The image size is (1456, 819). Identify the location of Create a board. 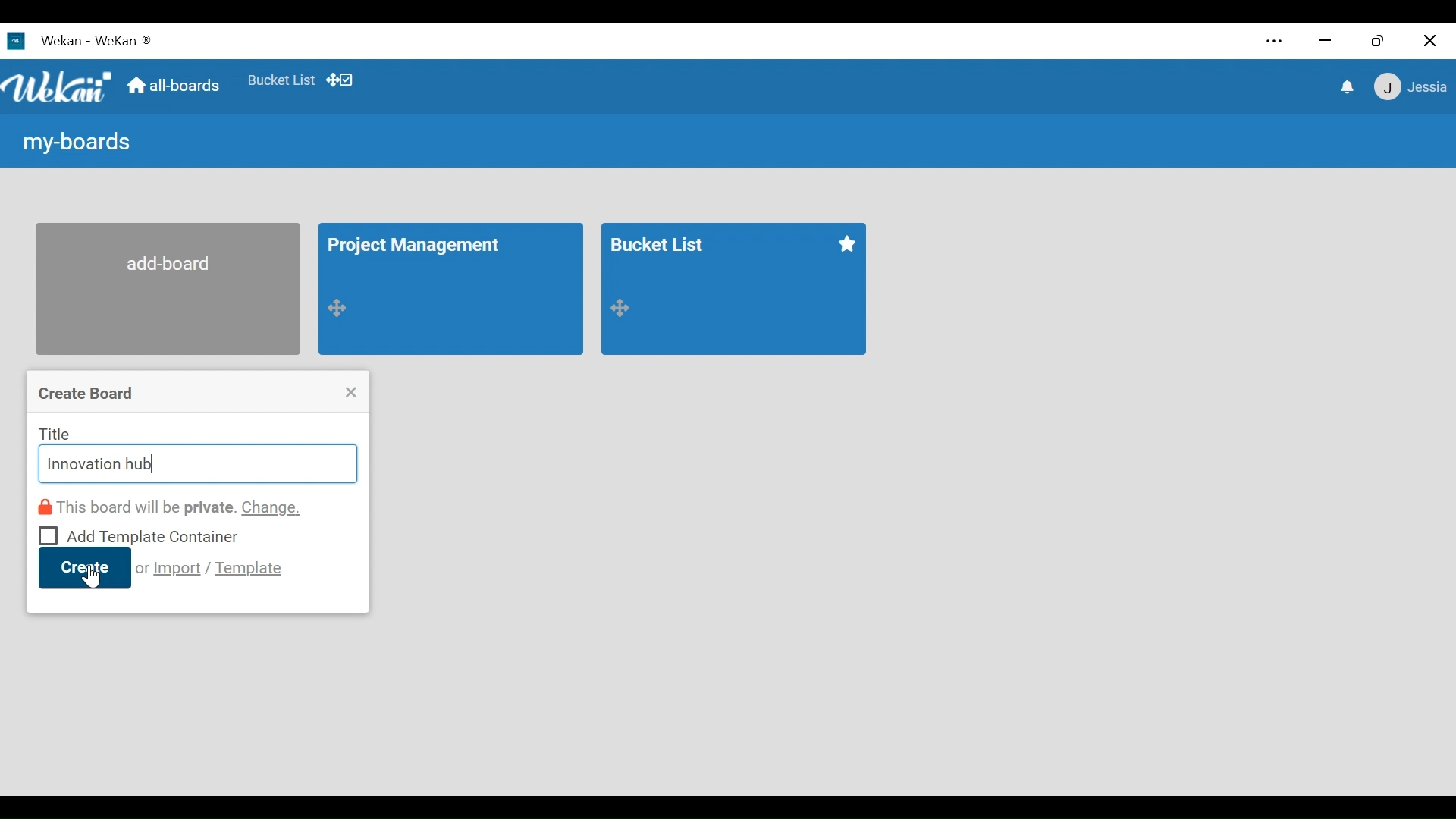
(88, 394).